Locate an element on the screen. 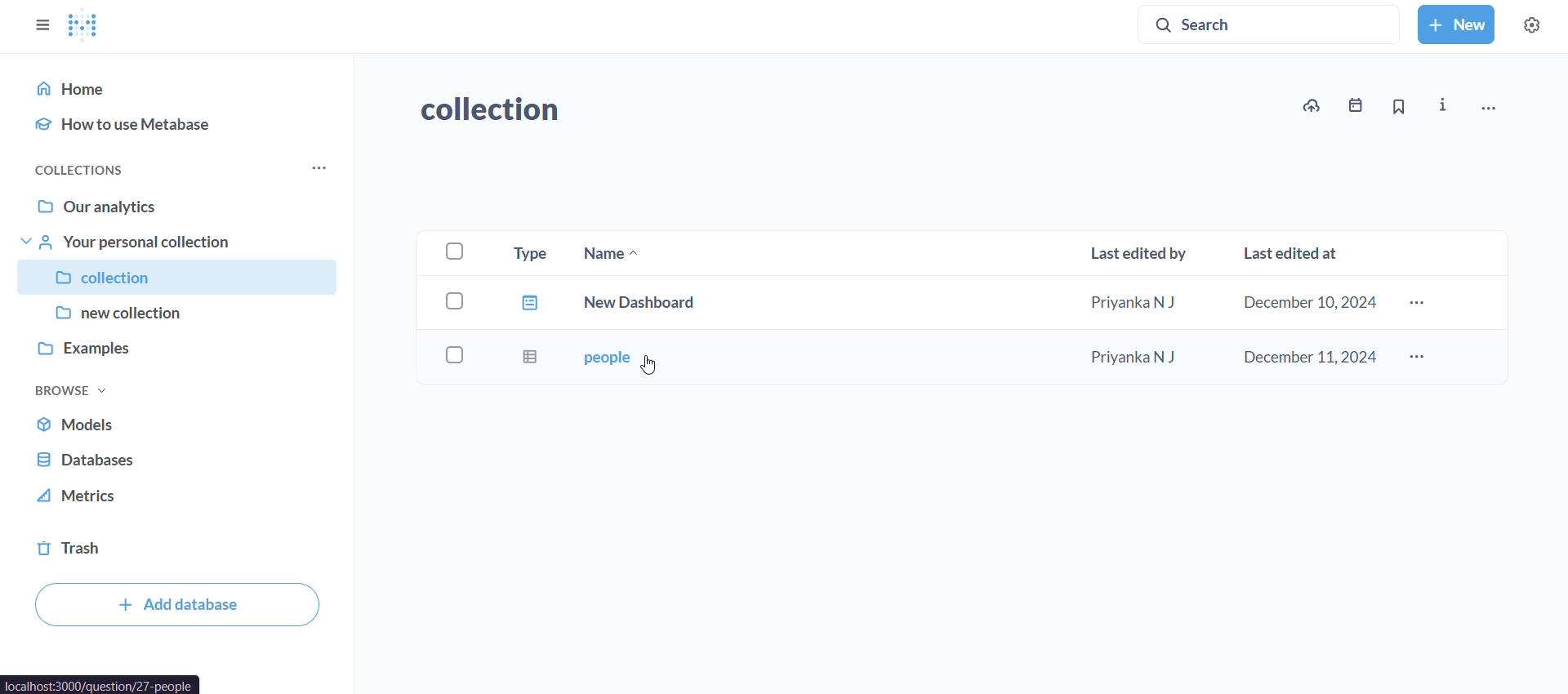  people is located at coordinates (629, 362).